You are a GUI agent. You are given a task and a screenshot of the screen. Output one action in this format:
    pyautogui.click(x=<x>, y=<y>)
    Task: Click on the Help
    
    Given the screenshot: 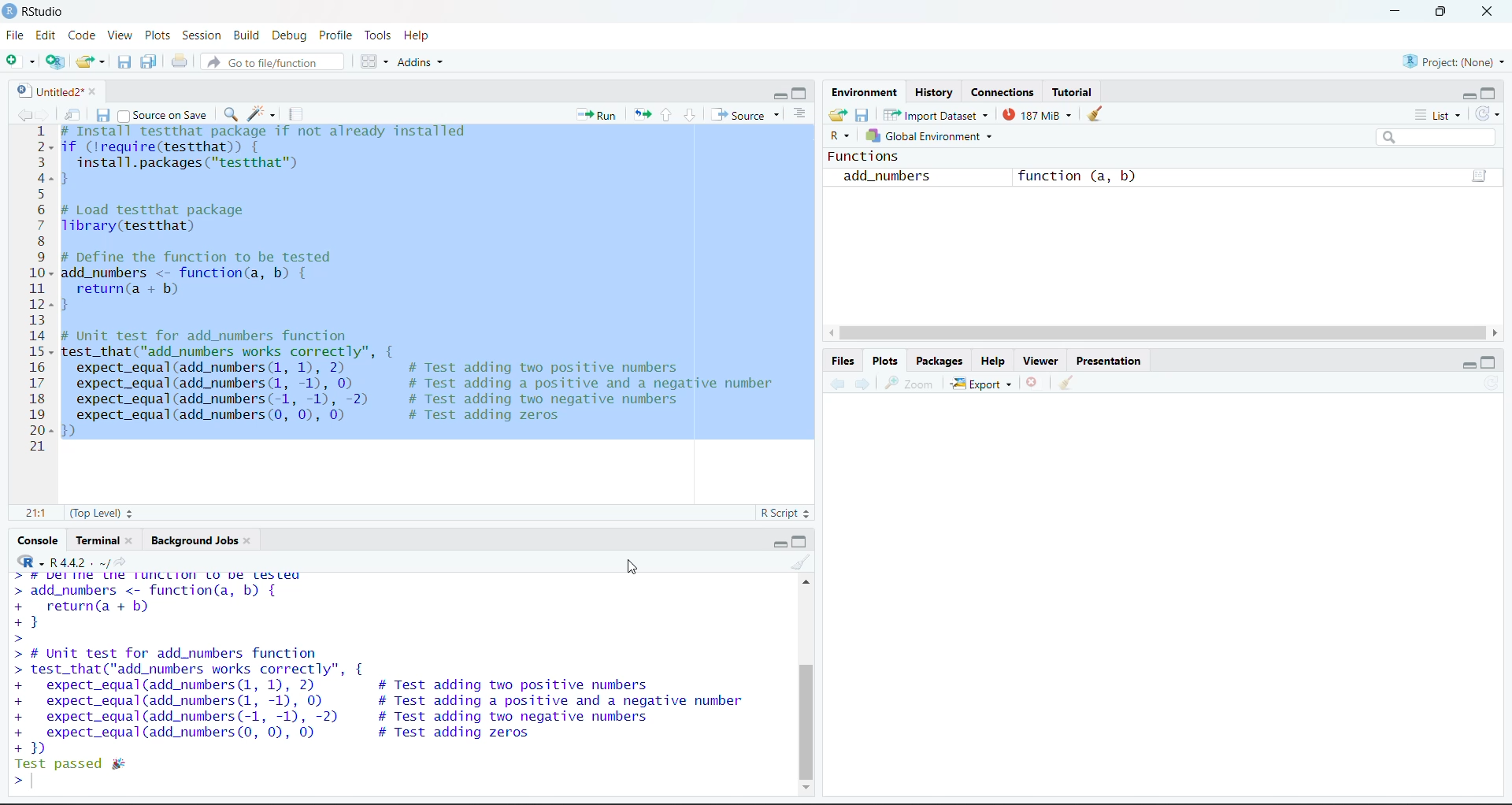 What is the action you would take?
    pyautogui.click(x=997, y=361)
    